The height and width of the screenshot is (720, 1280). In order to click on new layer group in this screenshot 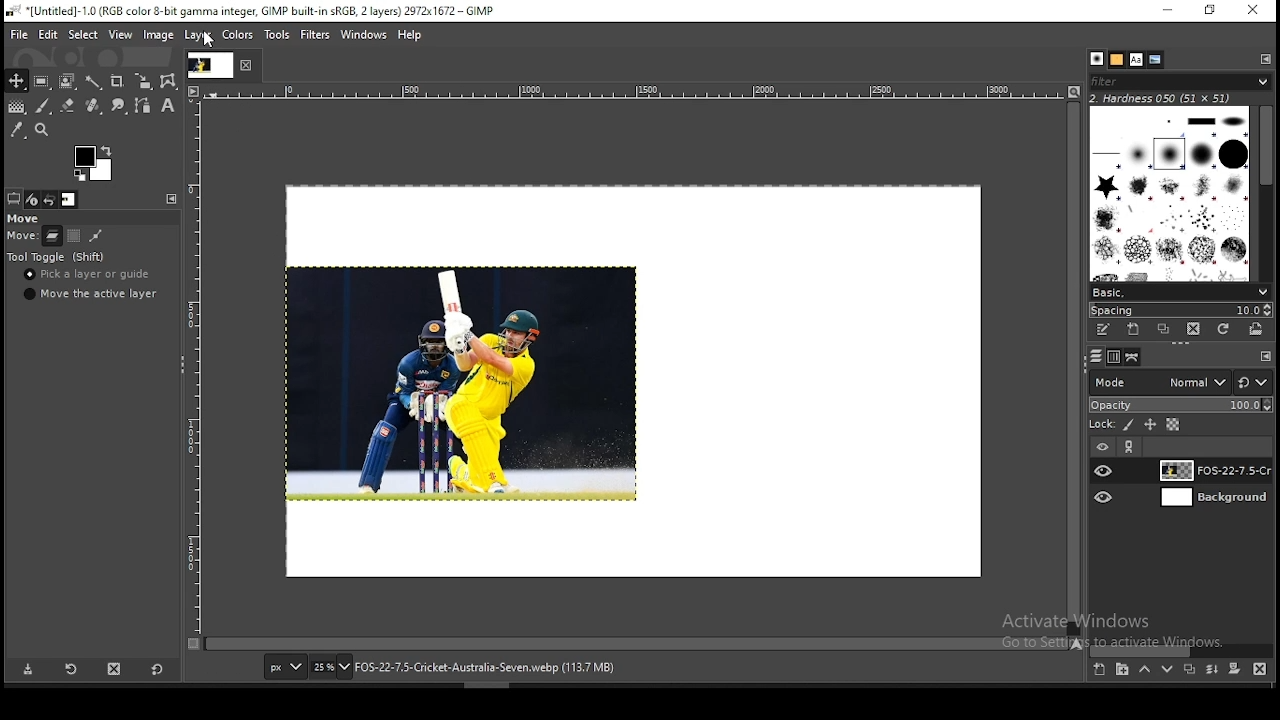, I will do `click(1122, 671)`.